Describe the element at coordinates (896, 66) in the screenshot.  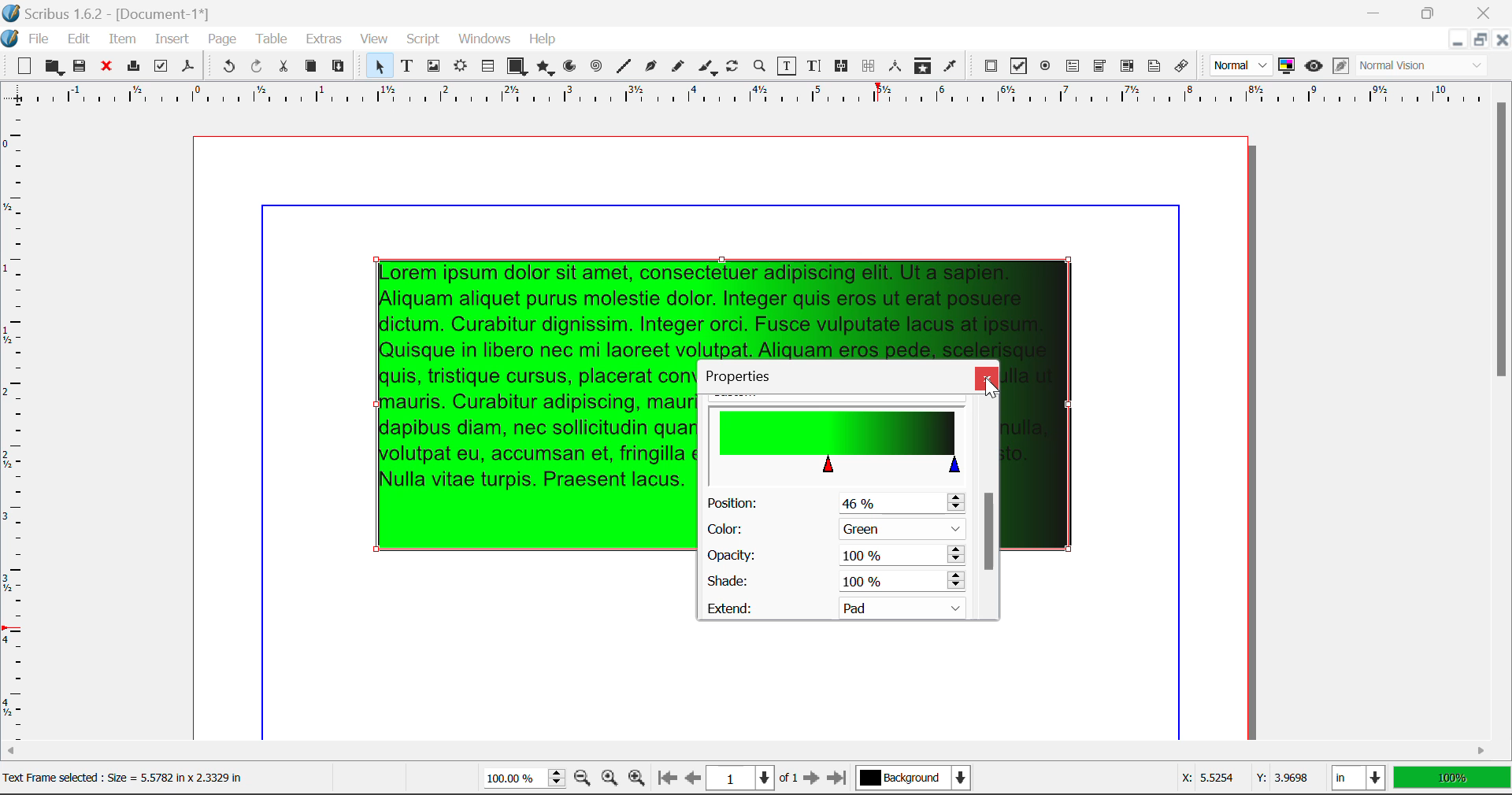
I see `Measurements` at that location.